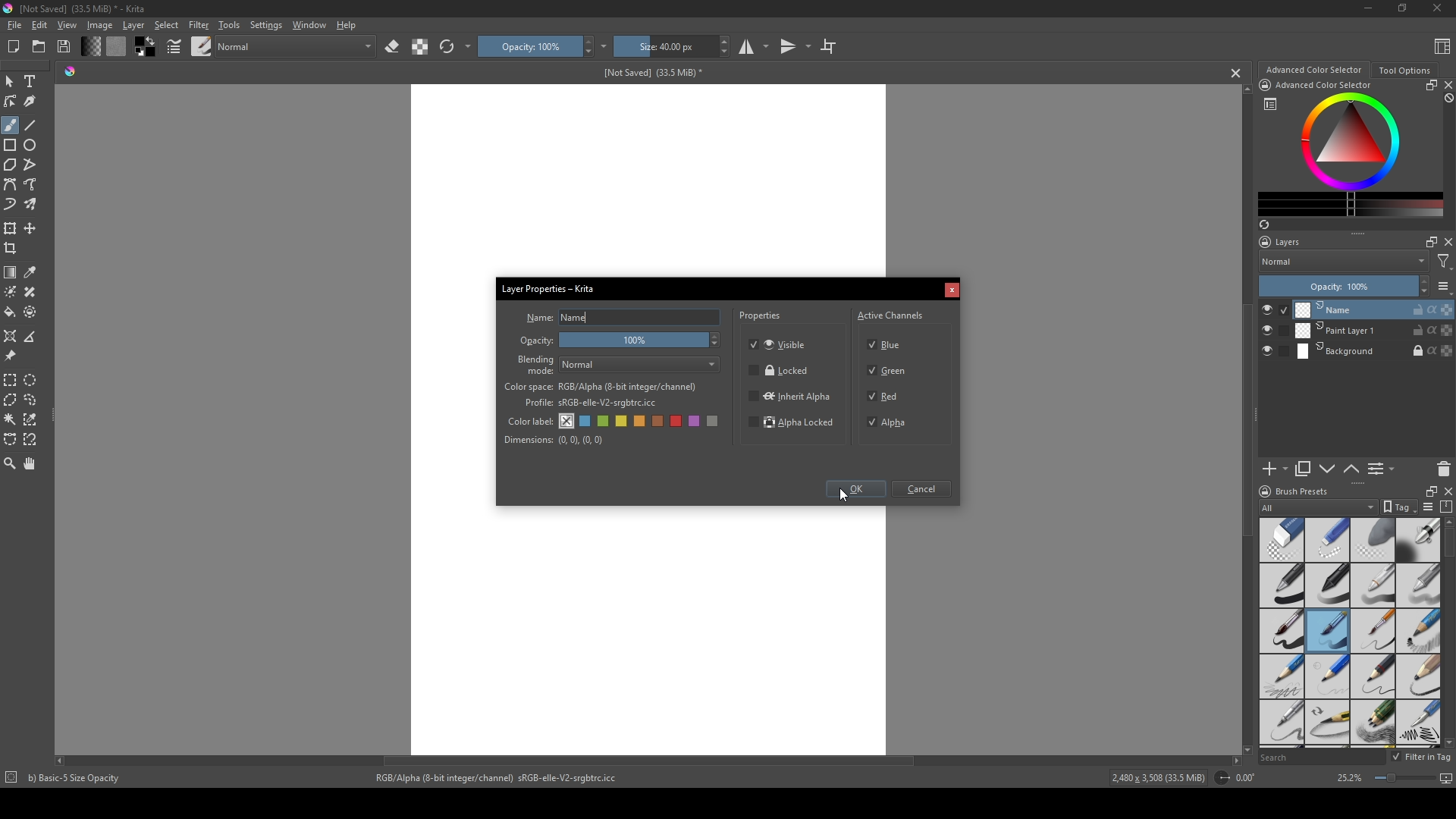 The height and width of the screenshot is (819, 1456). I want to click on Edit, so click(39, 25).